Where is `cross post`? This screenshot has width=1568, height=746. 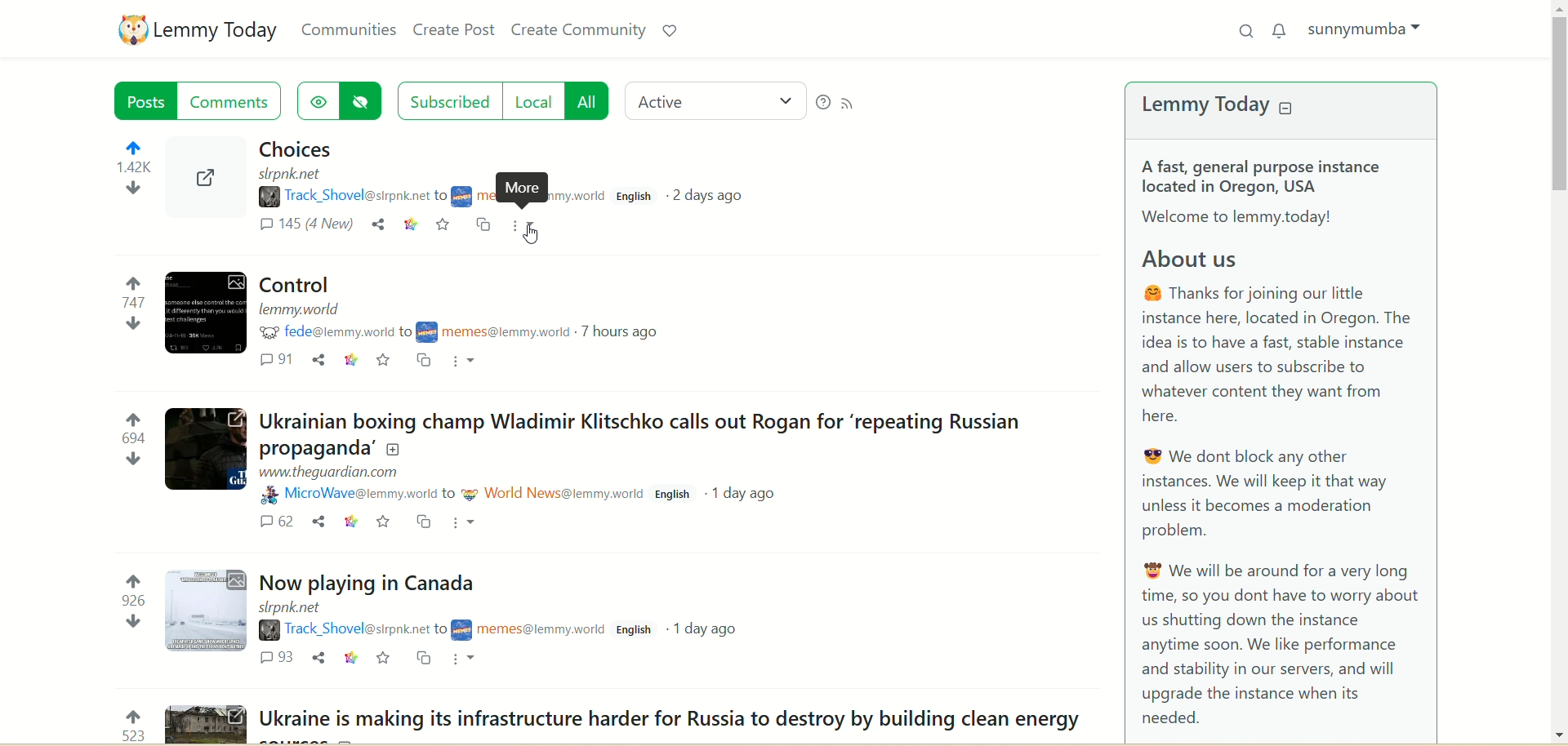
cross post is located at coordinates (425, 658).